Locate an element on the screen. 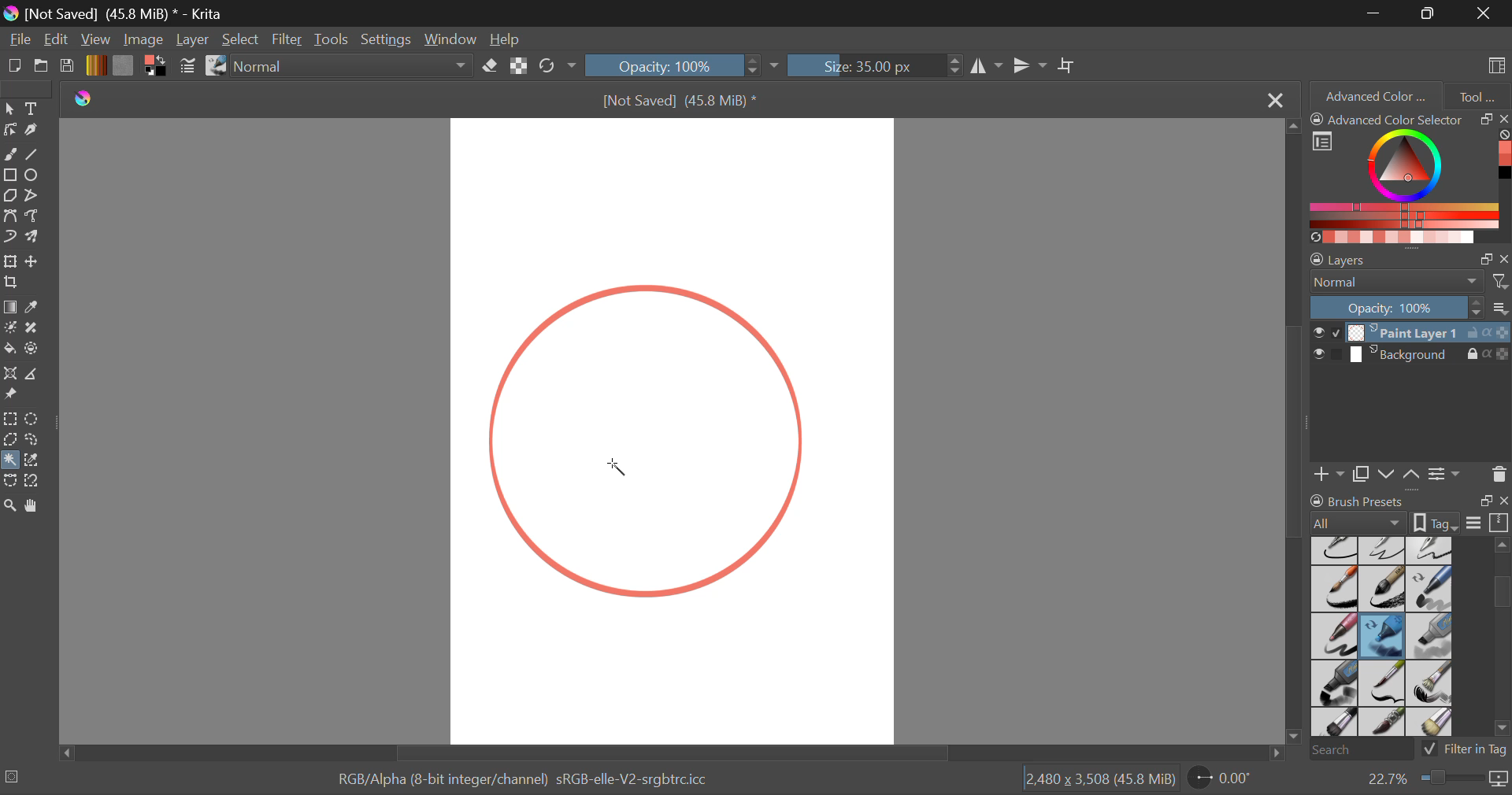  Elipses Selected is located at coordinates (35, 174).